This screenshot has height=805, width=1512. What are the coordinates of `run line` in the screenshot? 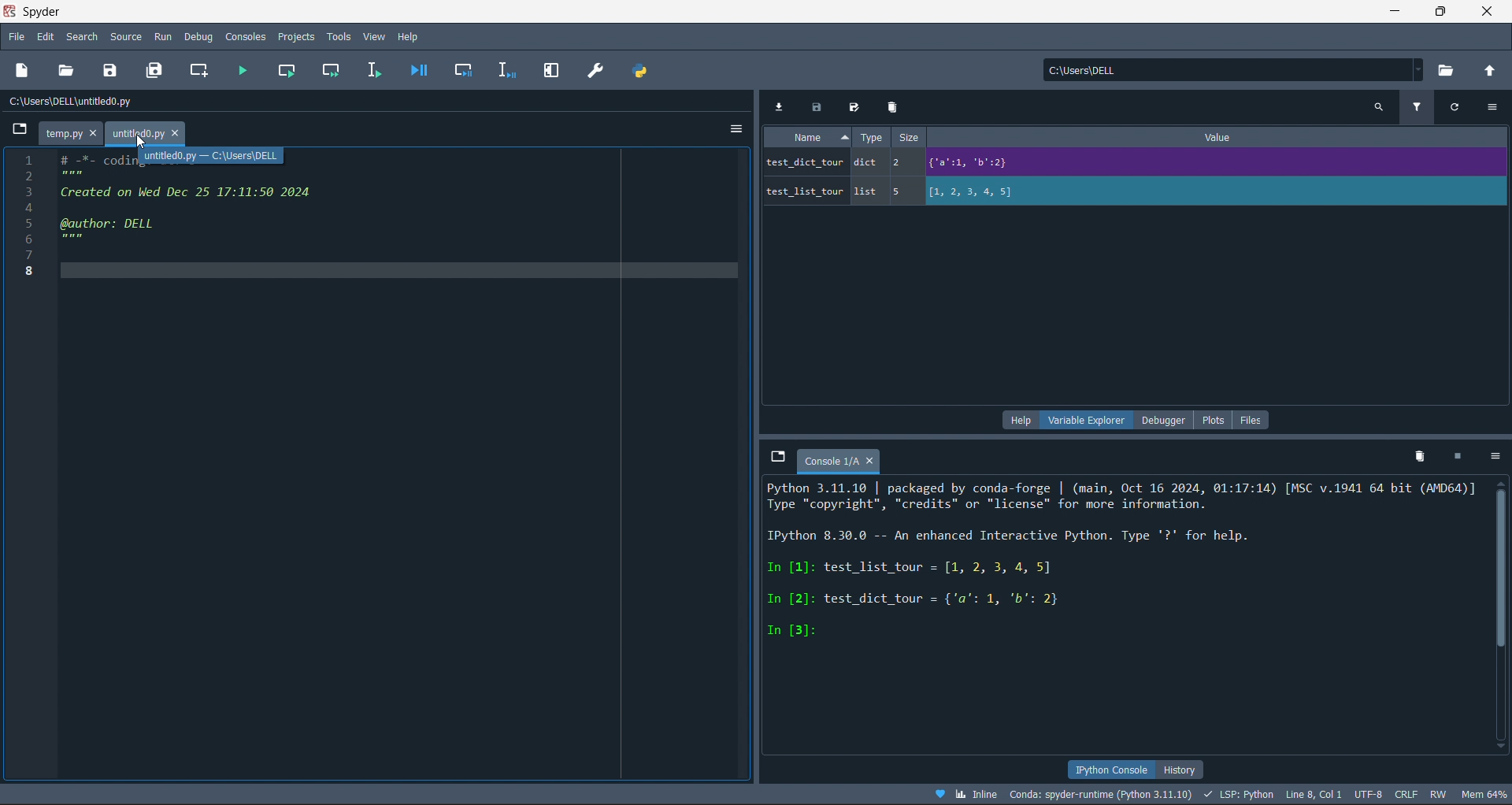 It's located at (372, 69).